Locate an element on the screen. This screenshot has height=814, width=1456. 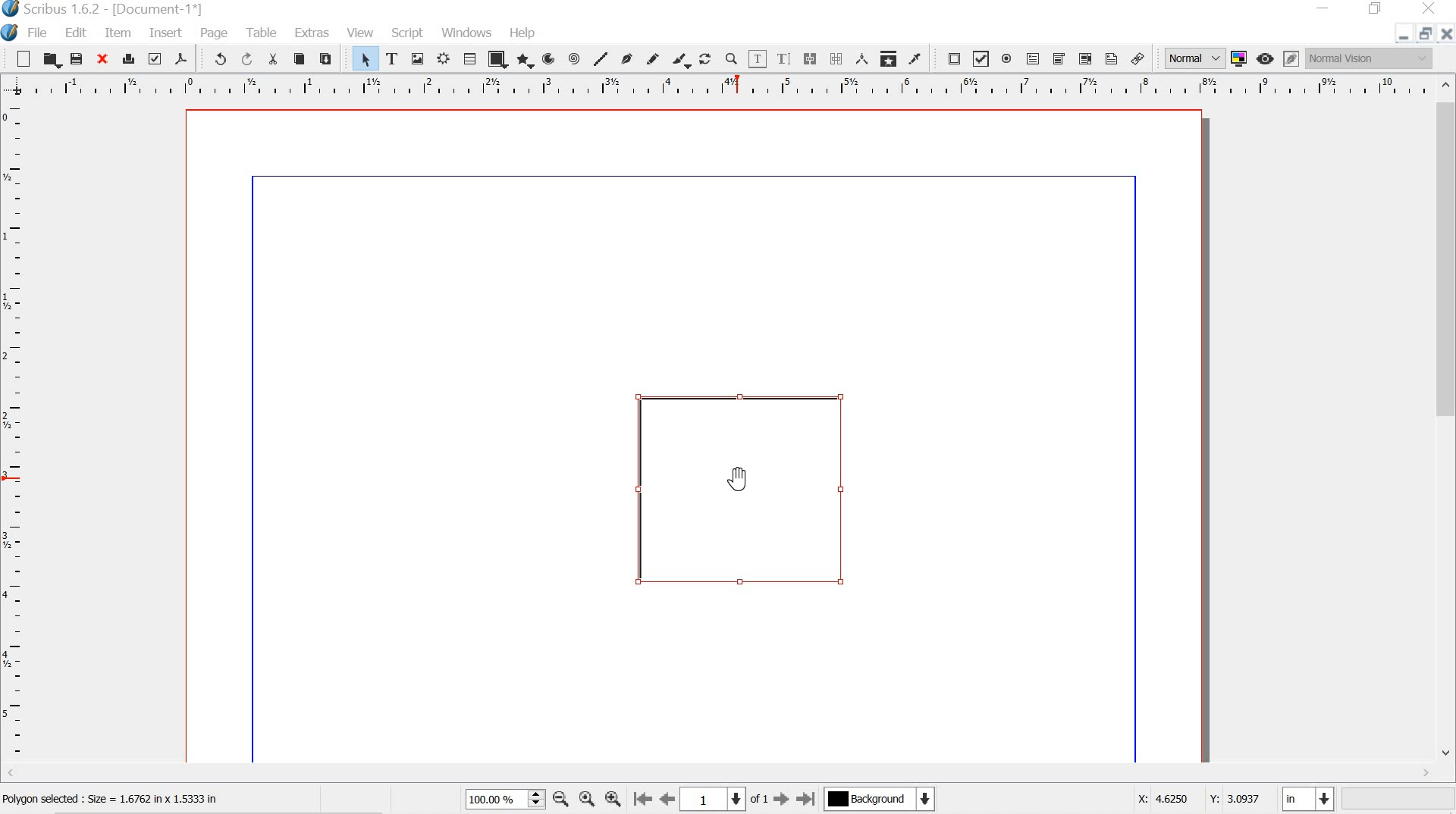
INSERT is located at coordinates (165, 34).